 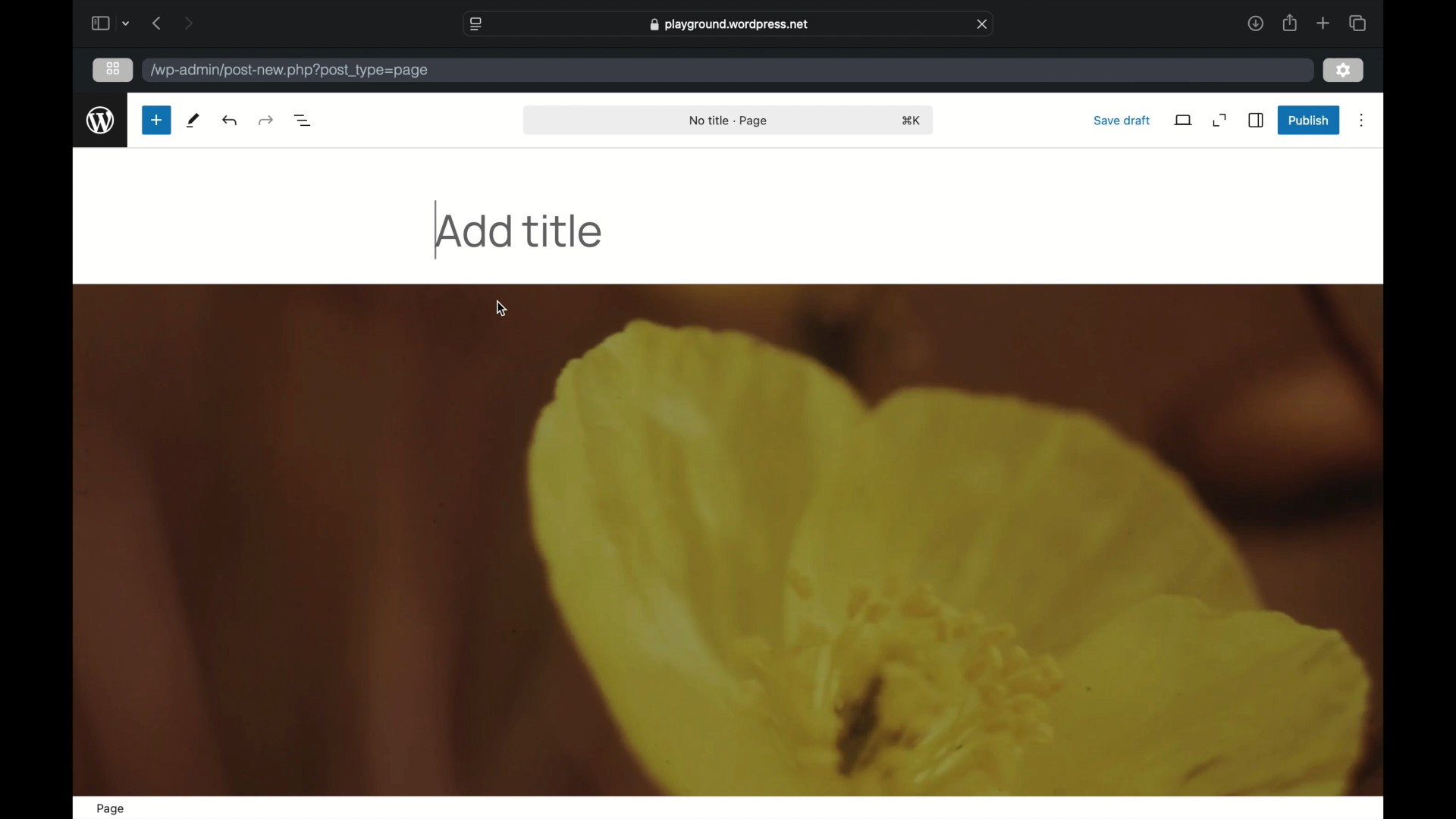 What do you see at coordinates (524, 233) in the screenshot?
I see `add title ` at bounding box center [524, 233].